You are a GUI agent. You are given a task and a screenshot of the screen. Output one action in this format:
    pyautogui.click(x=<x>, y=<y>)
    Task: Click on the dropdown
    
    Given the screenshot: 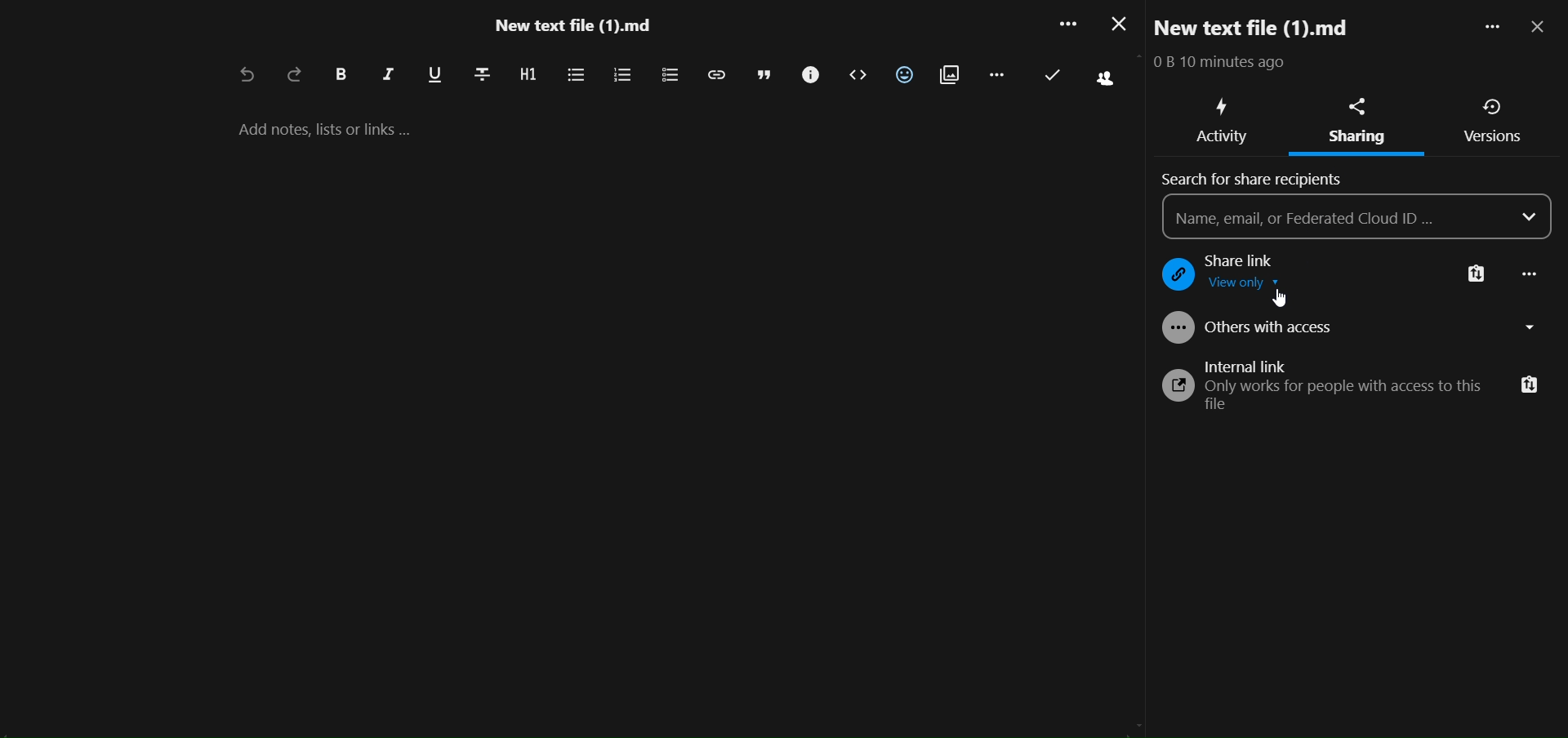 What is the action you would take?
    pyautogui.click(x=1535, y=327)
    